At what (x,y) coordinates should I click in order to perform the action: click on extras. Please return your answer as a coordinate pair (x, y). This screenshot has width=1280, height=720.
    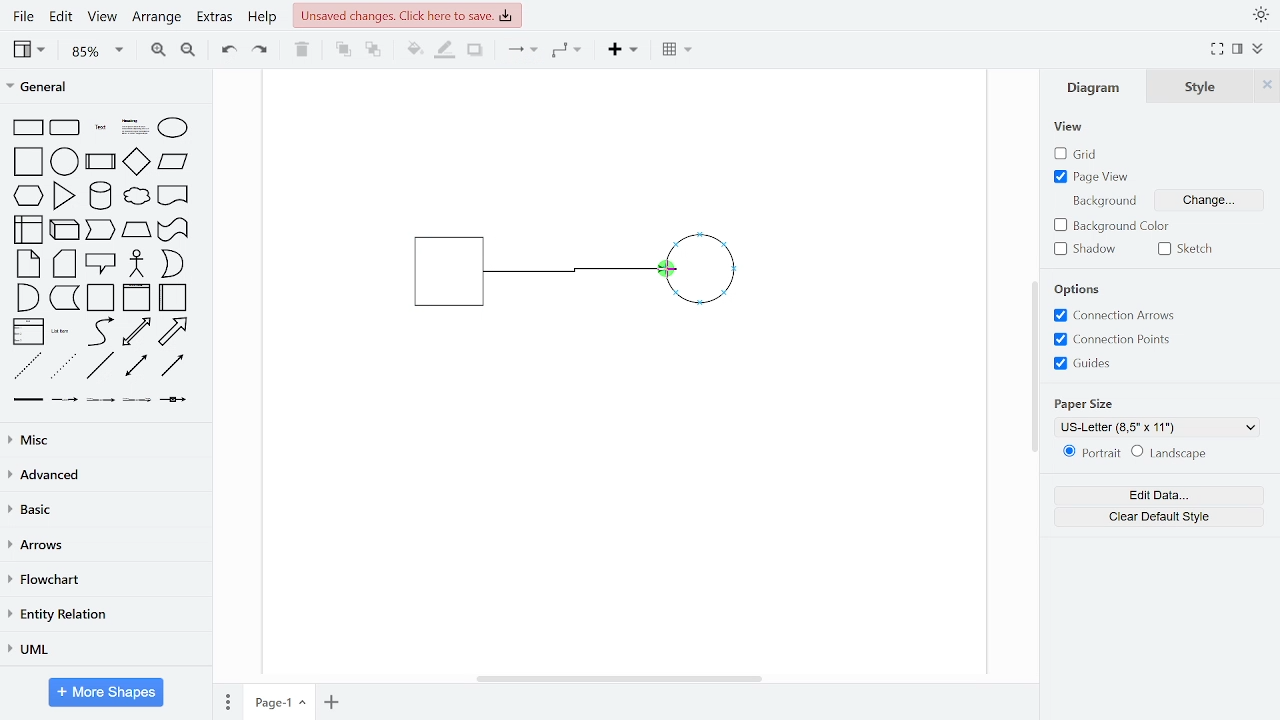
    Looking at the image, I should click on (214, 17).